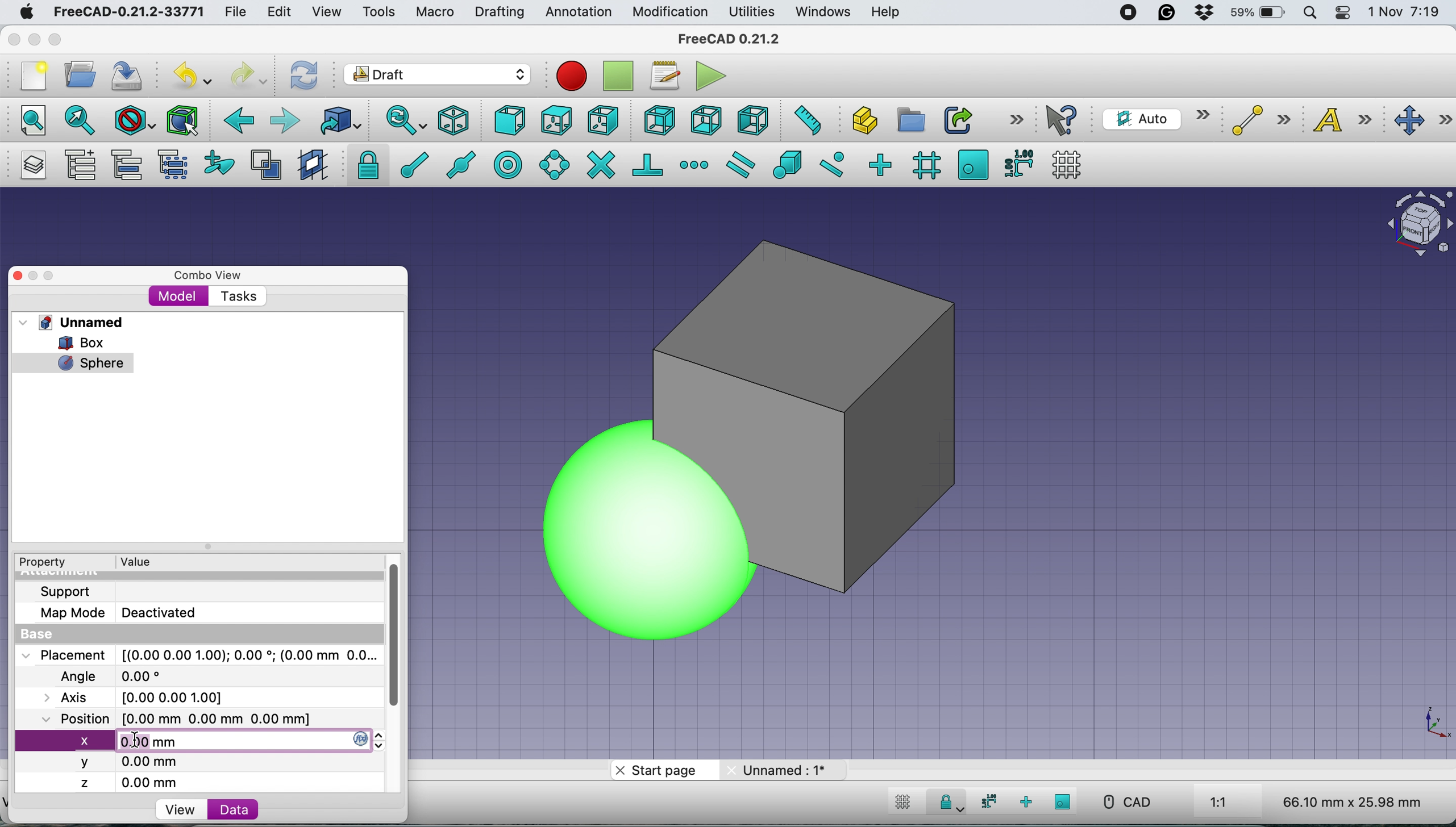  Describe the element at coordinates (643, 531) in the screenshot. I see `sphere` at that location.